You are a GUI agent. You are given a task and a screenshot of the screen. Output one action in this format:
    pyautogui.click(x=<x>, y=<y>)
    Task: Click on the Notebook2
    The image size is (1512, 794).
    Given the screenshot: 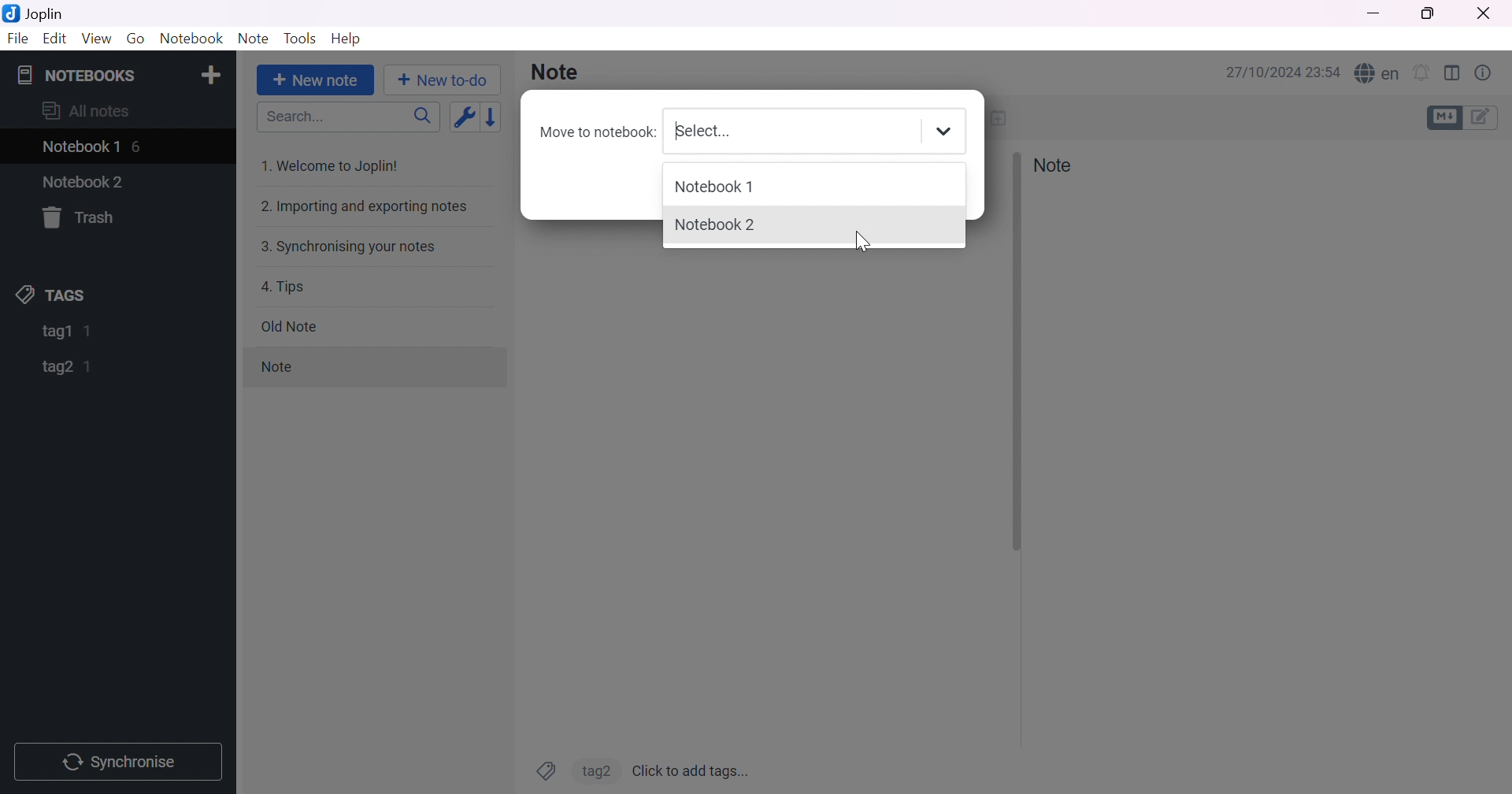 What is the action you would take?
    pyautogui.click(x=716, y=224)
    